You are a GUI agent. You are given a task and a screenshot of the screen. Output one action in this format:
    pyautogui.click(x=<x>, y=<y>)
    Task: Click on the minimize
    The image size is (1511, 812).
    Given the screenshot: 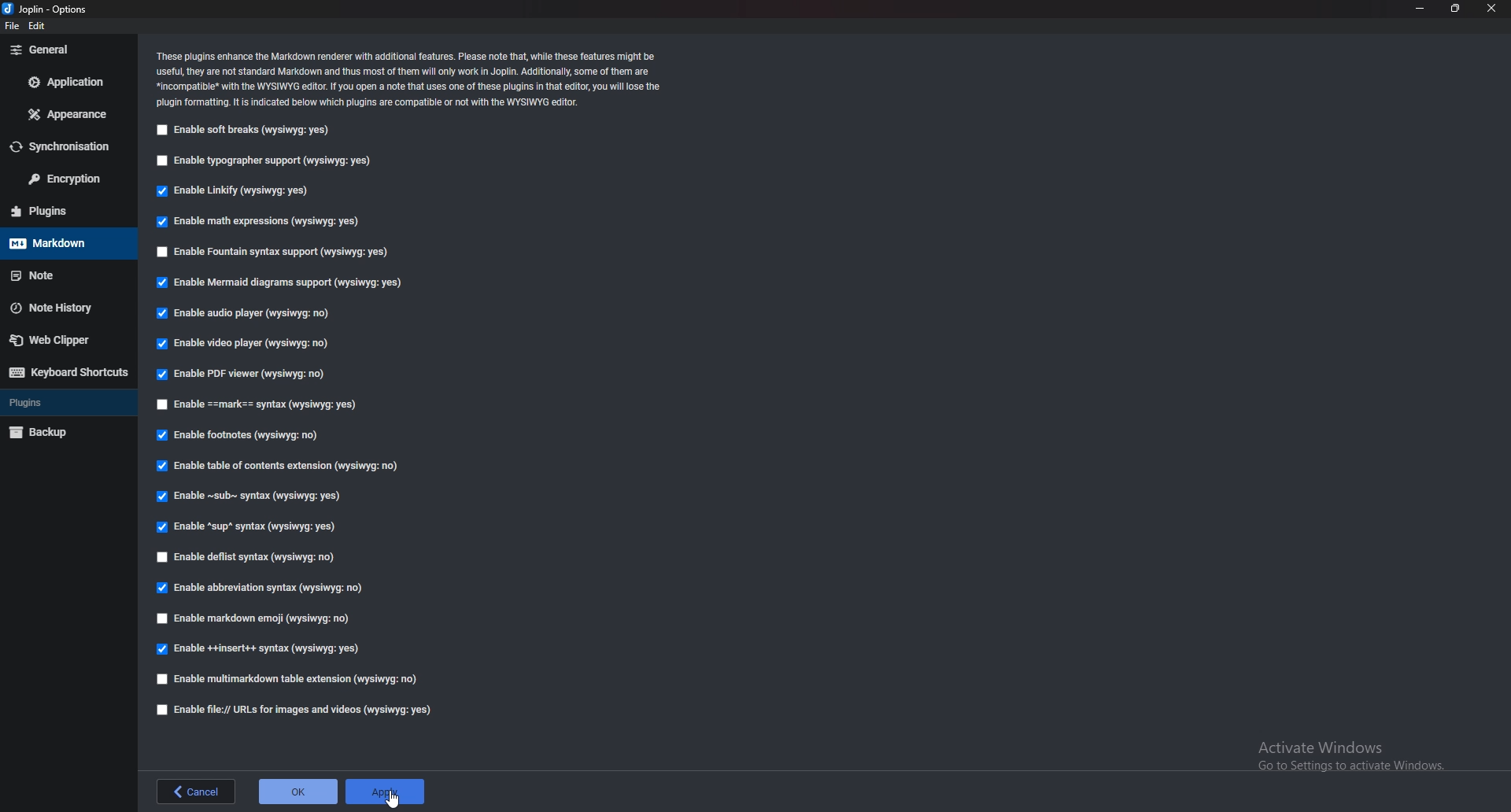 What is the action you would take?
    pyautogui.click(x=1420, y=9)
    